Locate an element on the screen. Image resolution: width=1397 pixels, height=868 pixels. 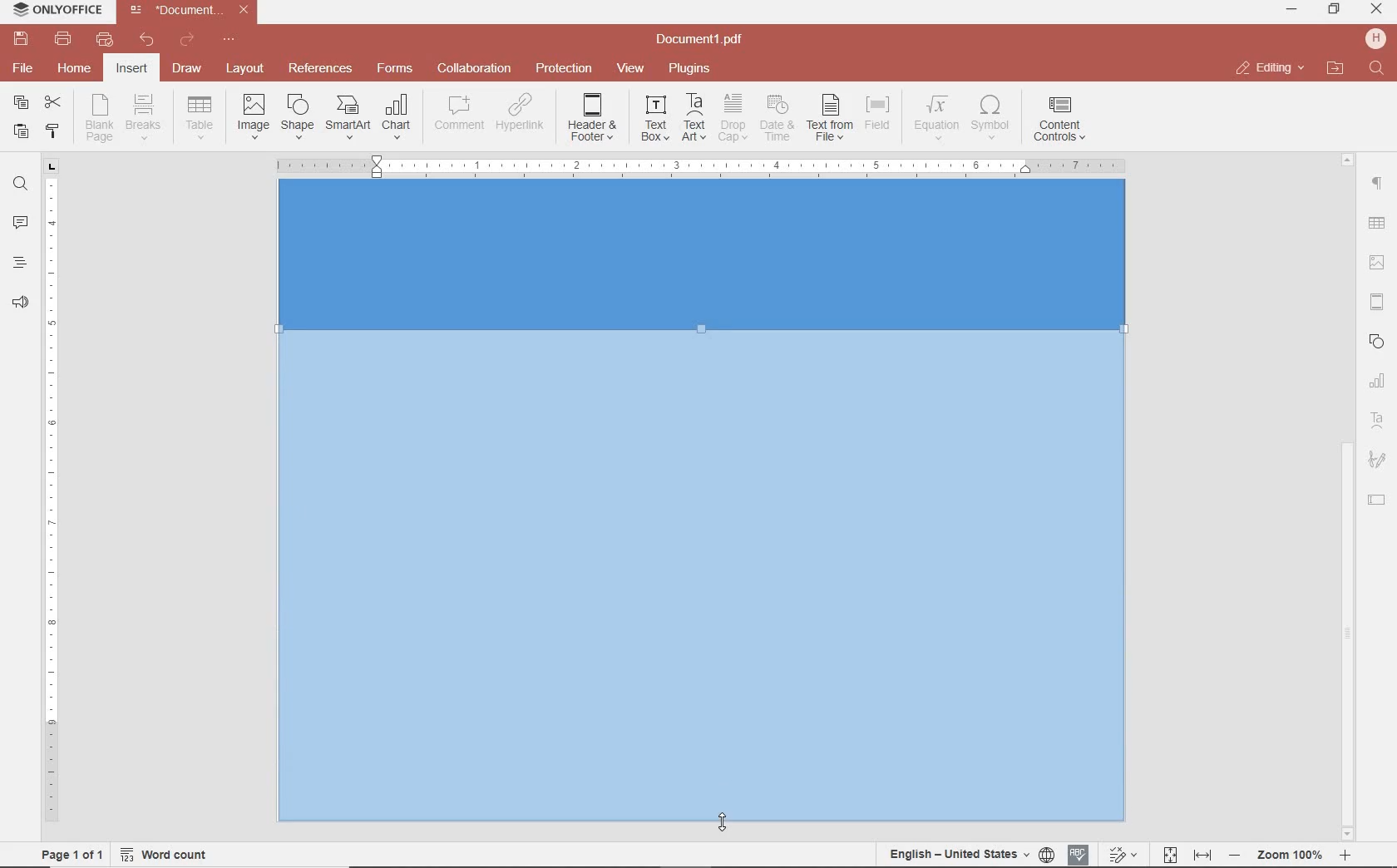
NSERT EQUATION is located at coordinates (935, 116).